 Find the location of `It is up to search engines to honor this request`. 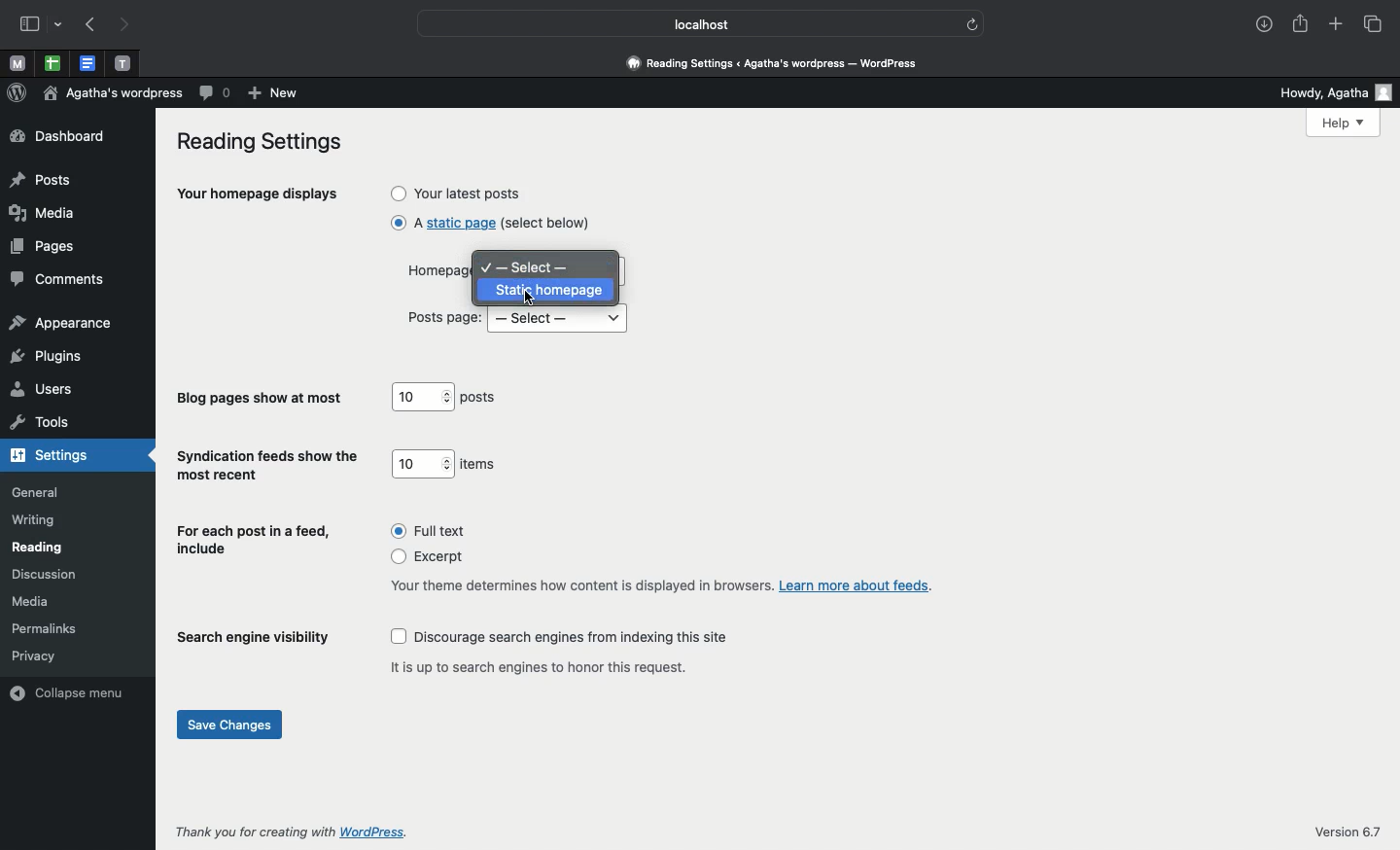

It is up to search engines to honor this request is located at coordinates (545, 666).